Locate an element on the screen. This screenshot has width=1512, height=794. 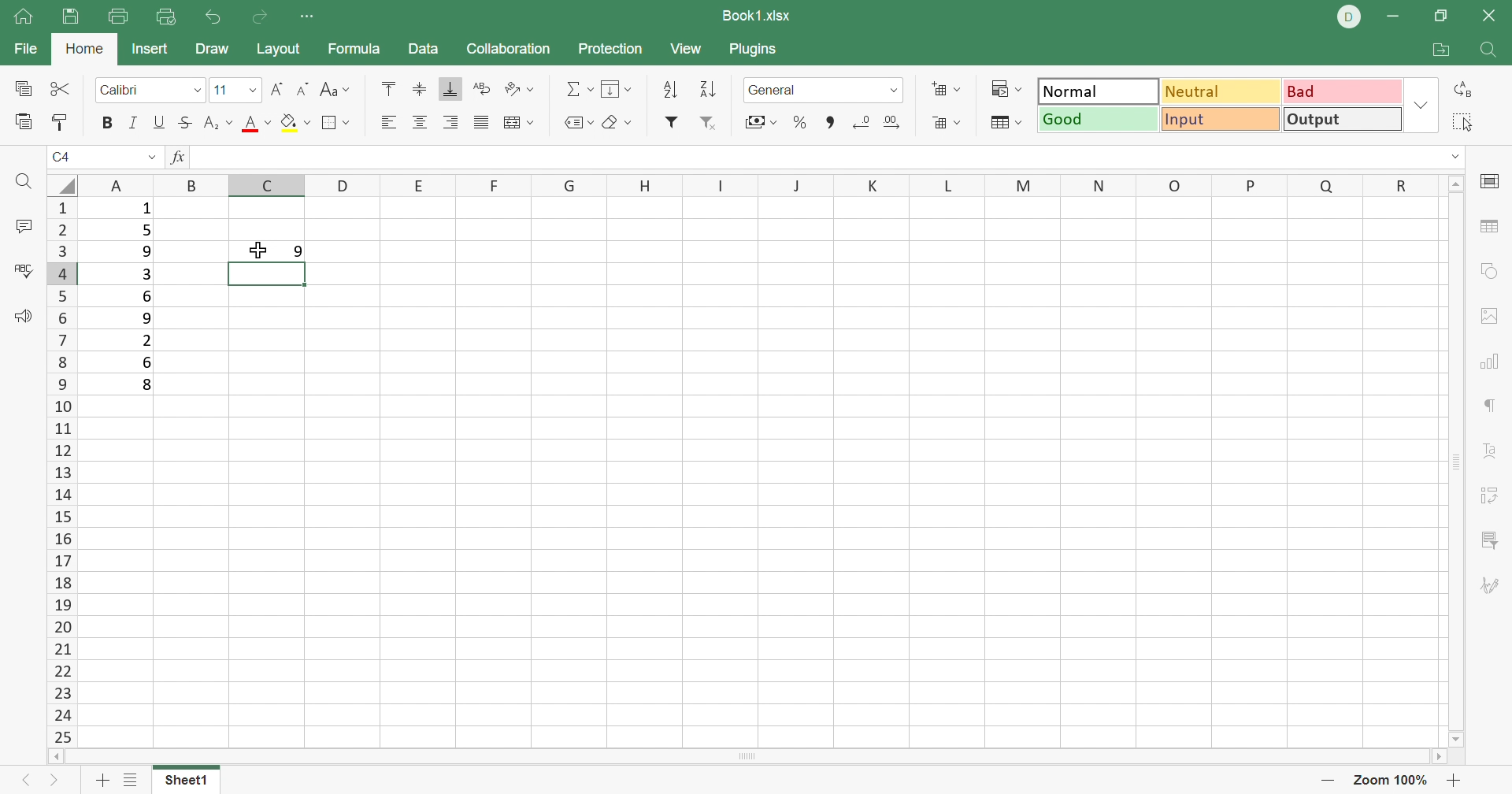
Percent style is located at coordinates (799, 122).